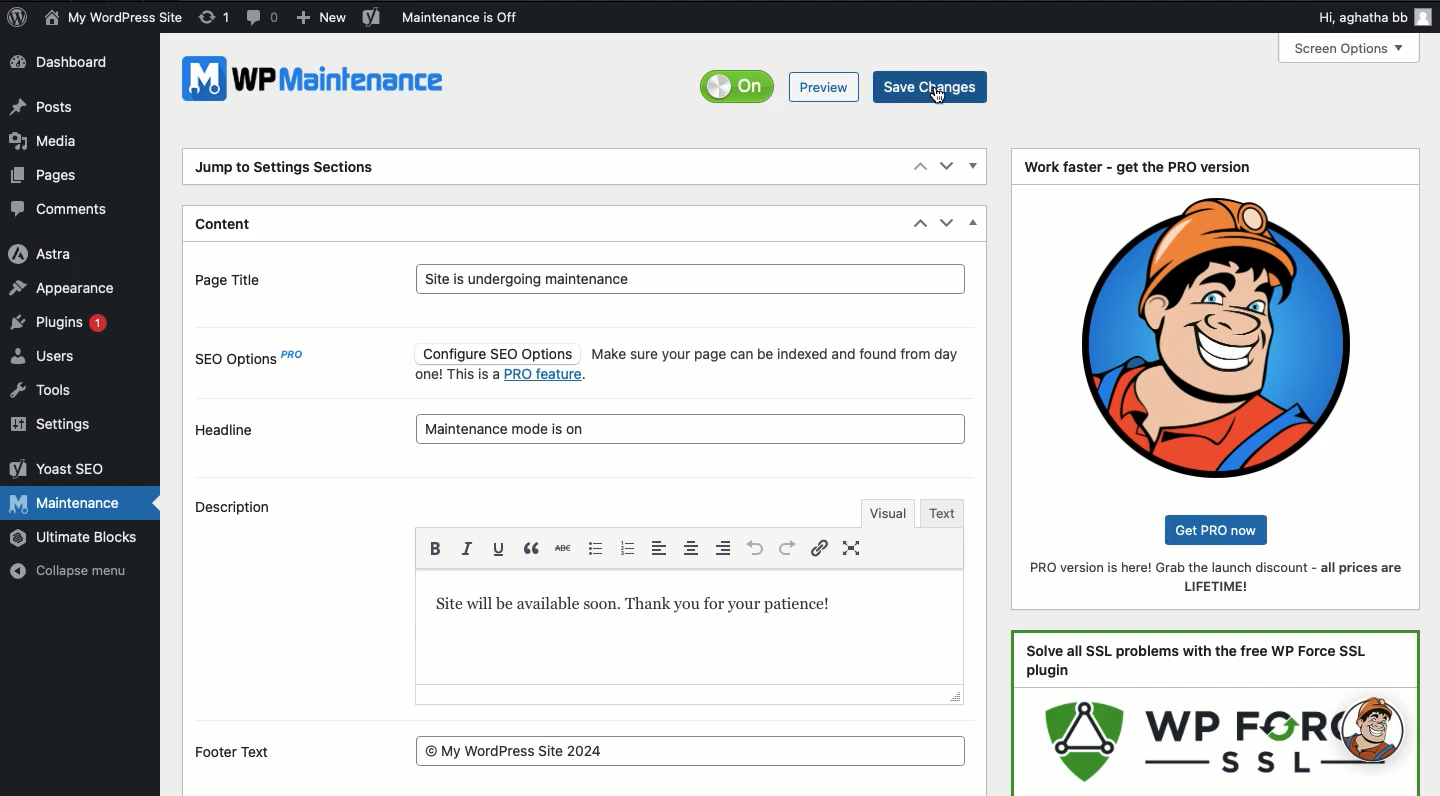 Image resolution: width=1440 pixels, height=796 pixels. What do you see at coordinates (42, 357) in the screenshot?
I see `Users` at bounding box center [42, 357].